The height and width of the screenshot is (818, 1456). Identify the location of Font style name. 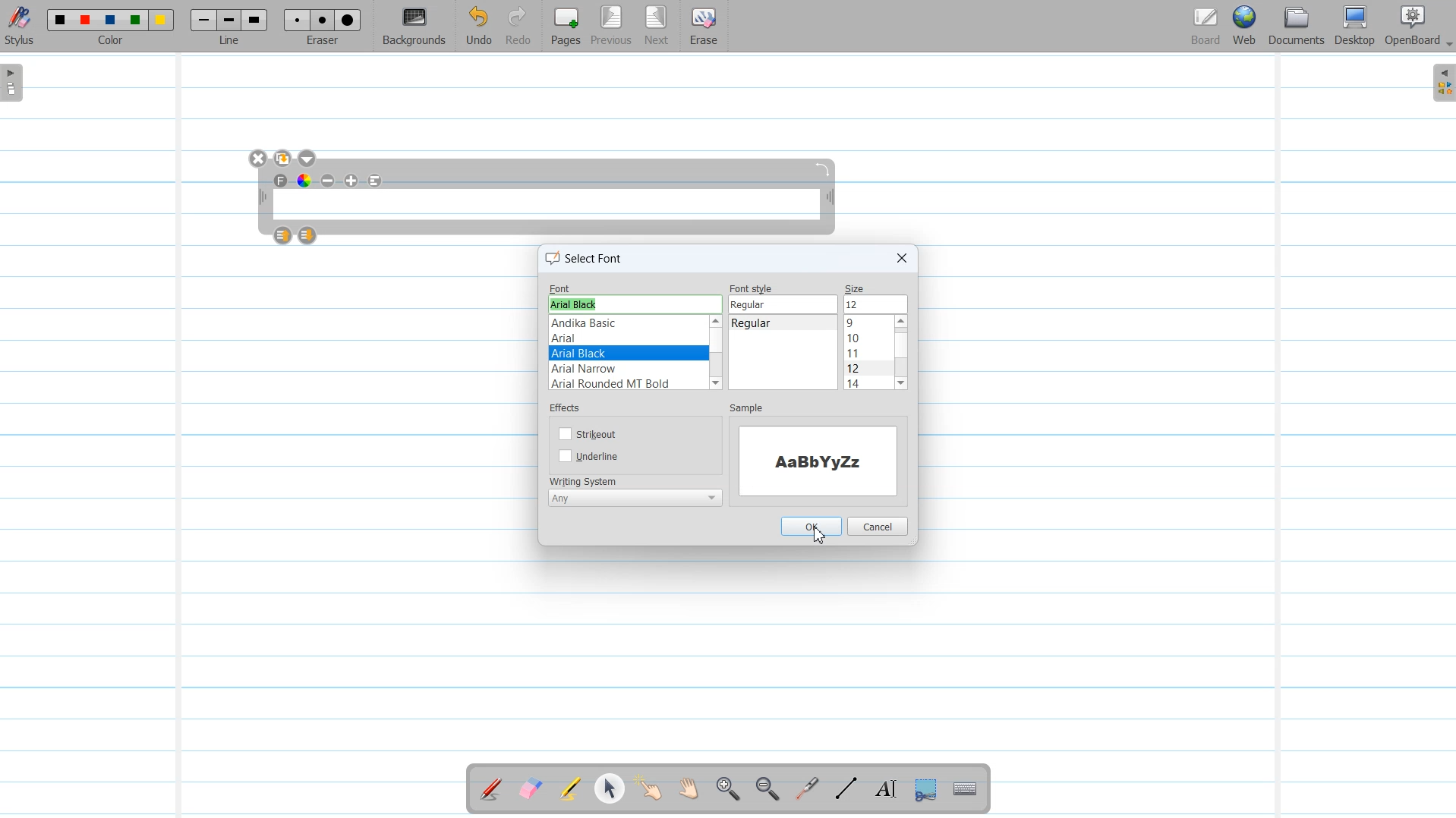
(785, 298).